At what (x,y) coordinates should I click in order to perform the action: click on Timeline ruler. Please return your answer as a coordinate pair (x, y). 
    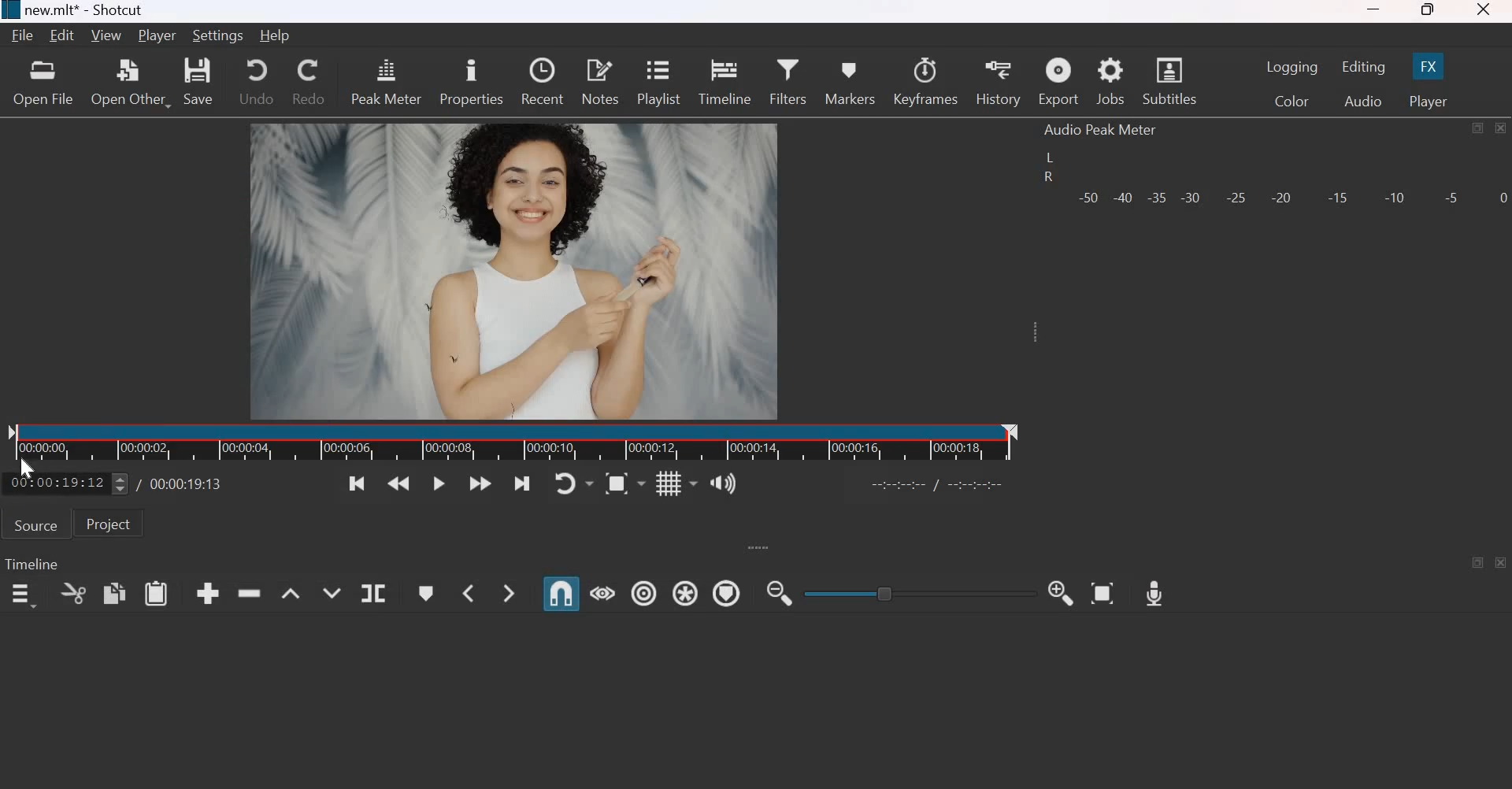
    Looking at the image, I should click on (513, 442).